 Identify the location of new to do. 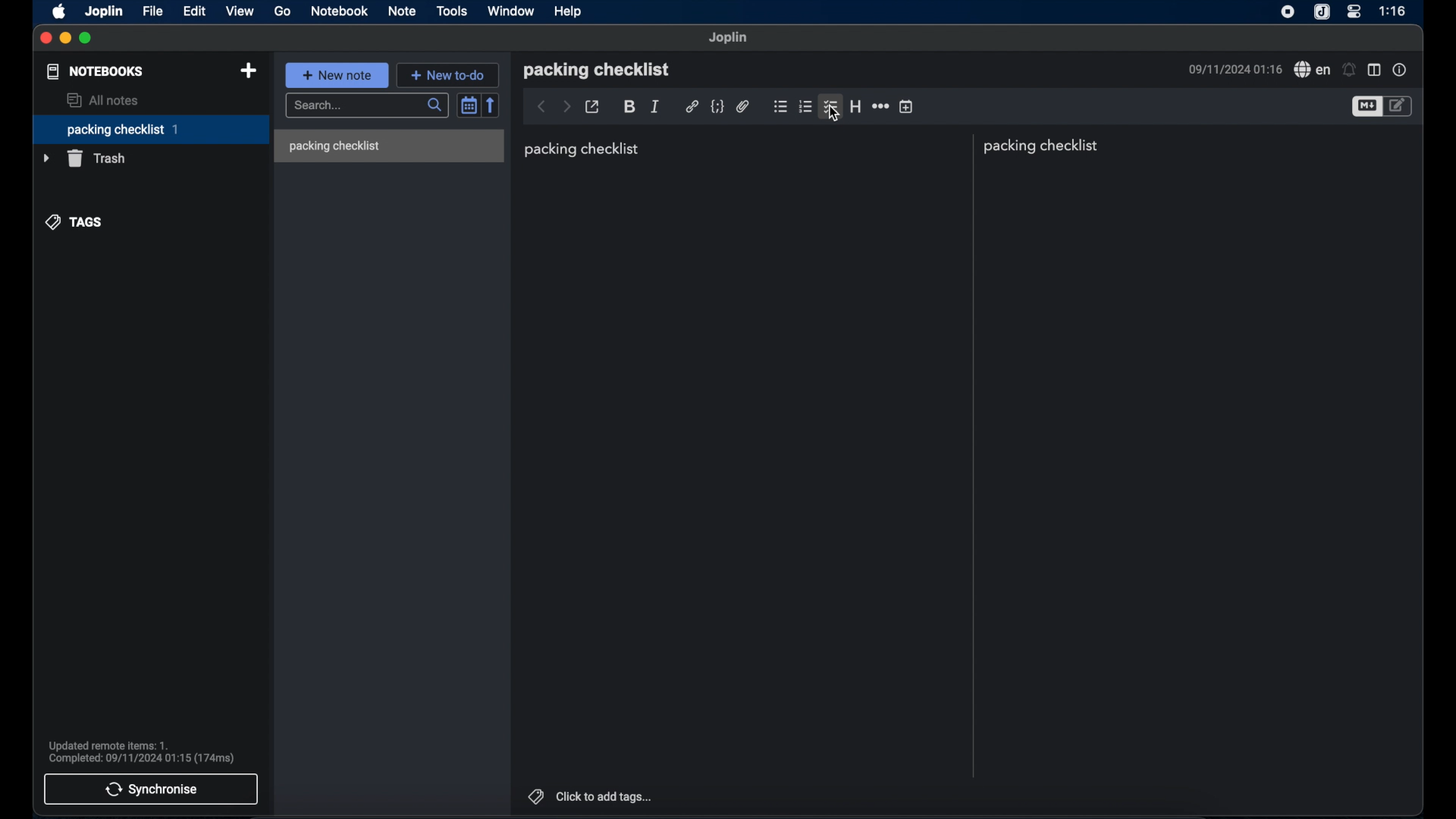
(448, 74).